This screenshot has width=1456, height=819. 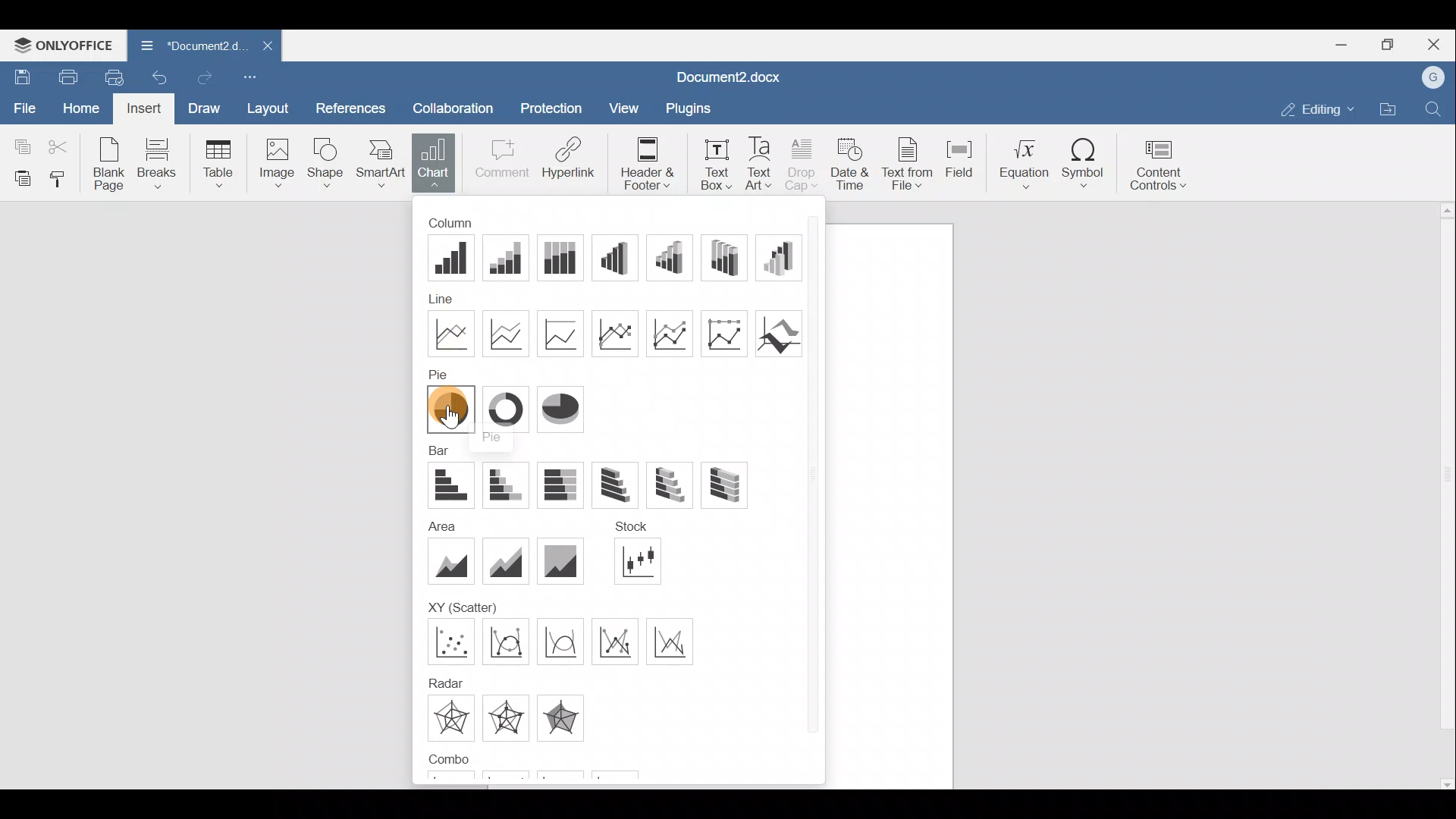 What do you see at coordinates (445, 416) in the screenshot?
I see `Cursor on pie chart` at bounding box center [445, 416].